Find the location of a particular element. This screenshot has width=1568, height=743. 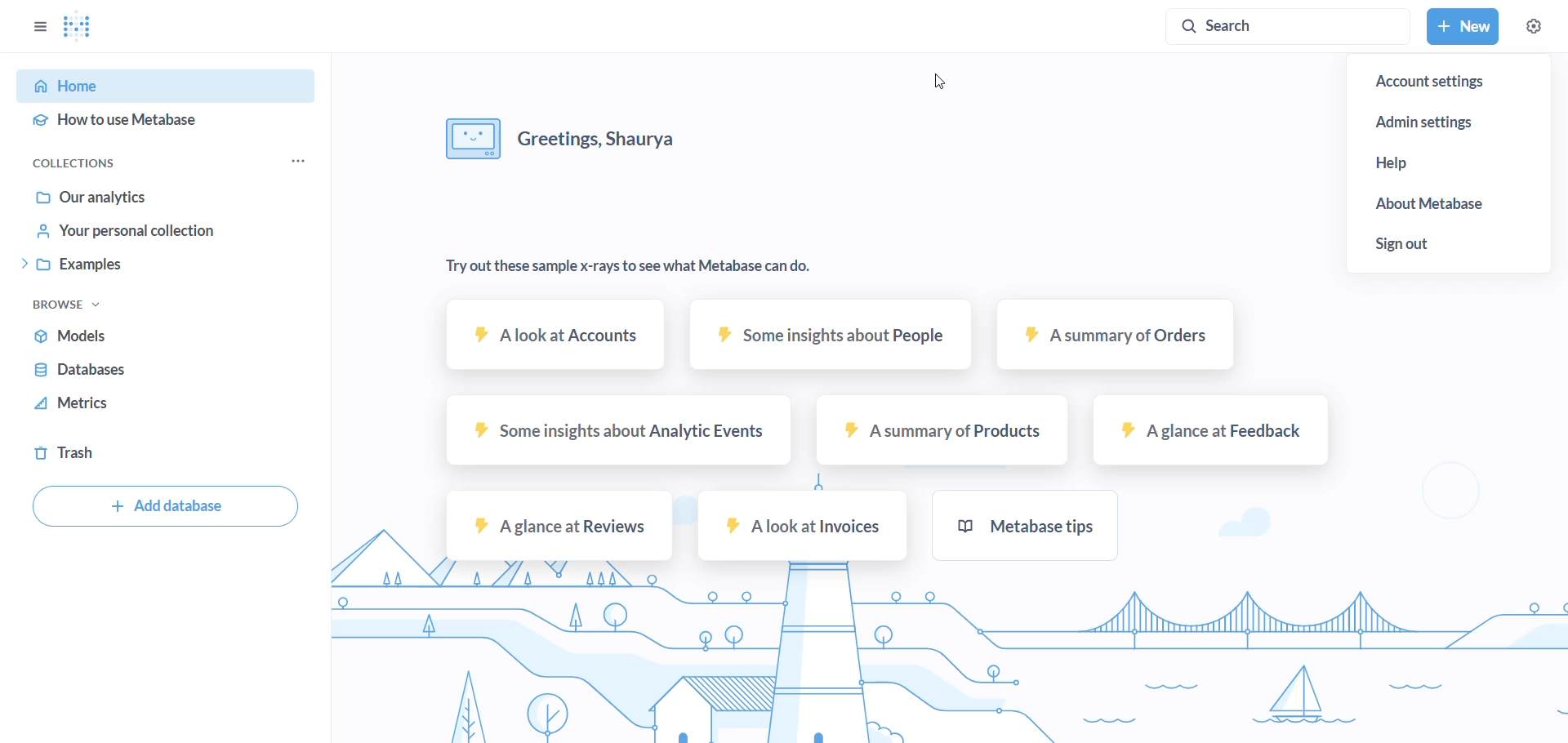

examples is located at coordinates (126, 269).